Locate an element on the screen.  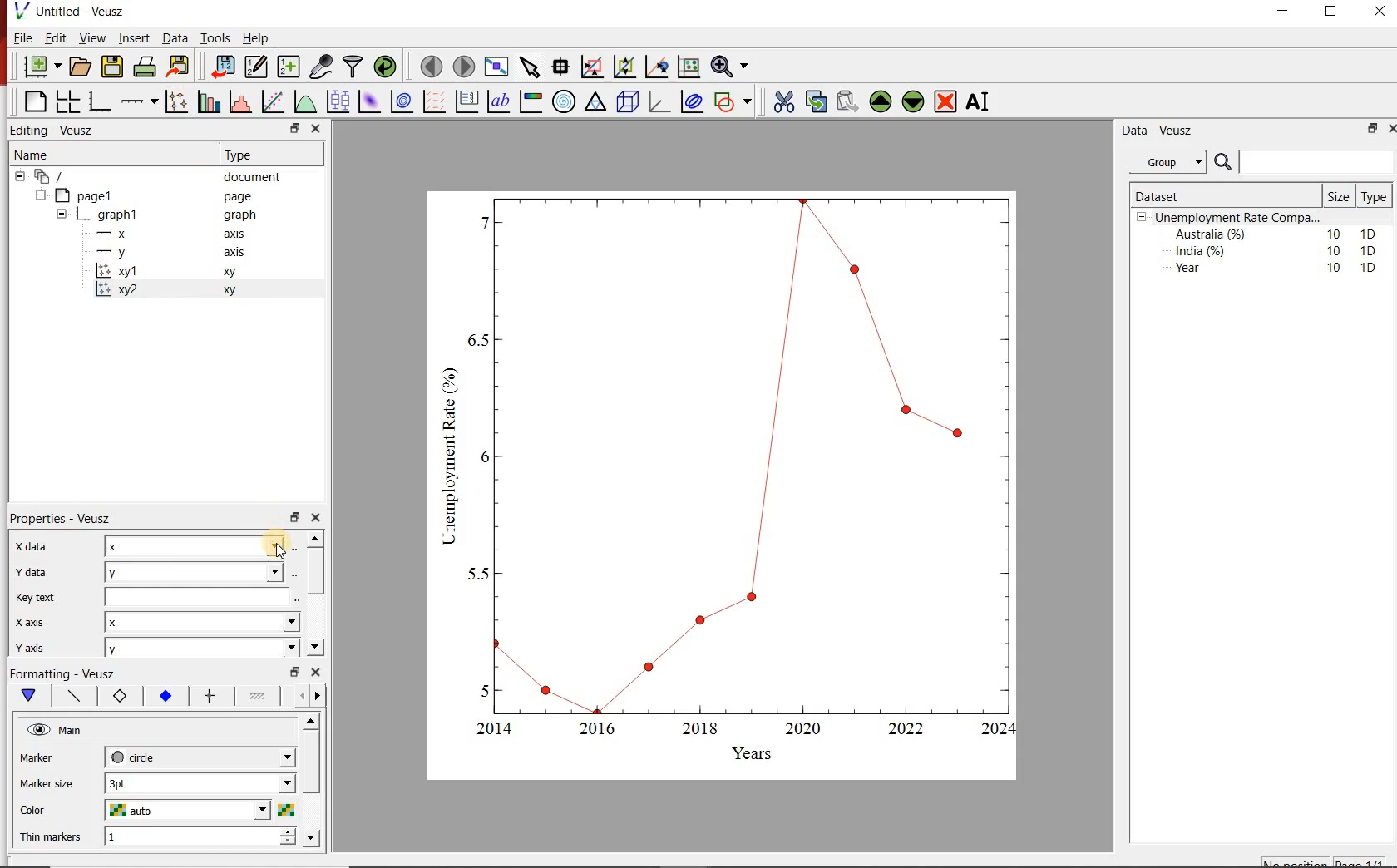
plot points with lines and errorbars is located at coordinates (176, 101).